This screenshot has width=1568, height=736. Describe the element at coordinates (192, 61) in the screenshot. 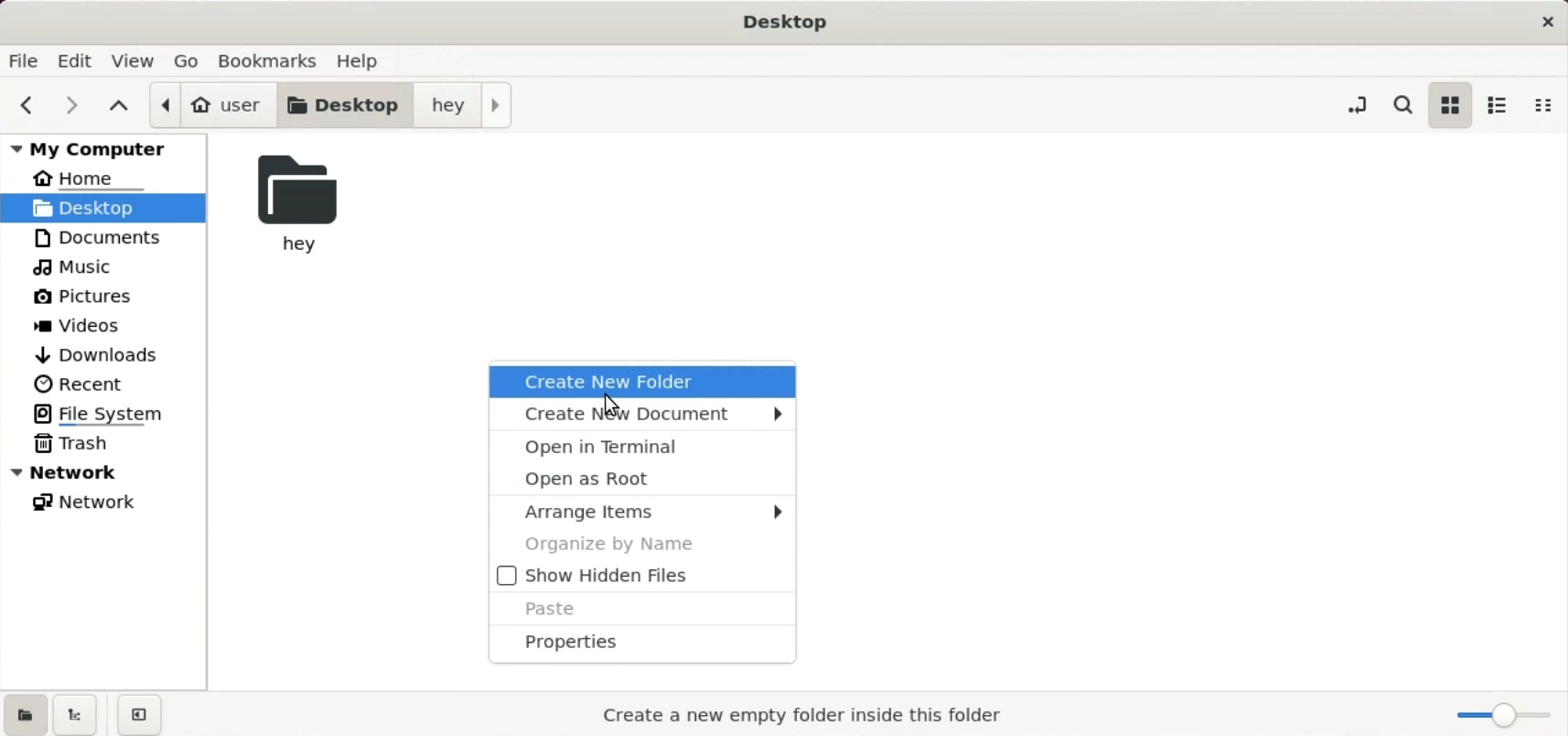

I see `go` at that location.